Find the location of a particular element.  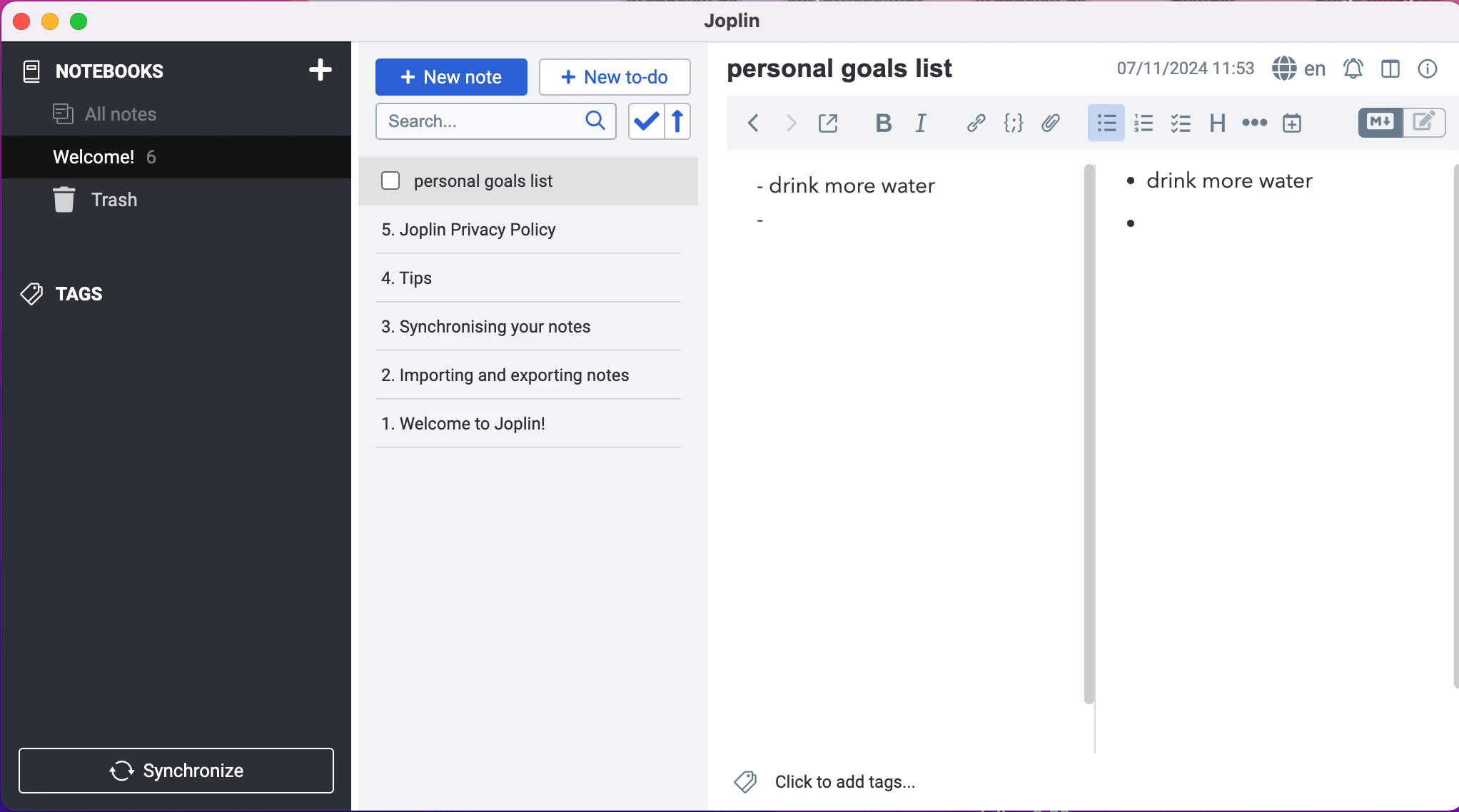

Click to add tags... is located at coordinates (834, 783).